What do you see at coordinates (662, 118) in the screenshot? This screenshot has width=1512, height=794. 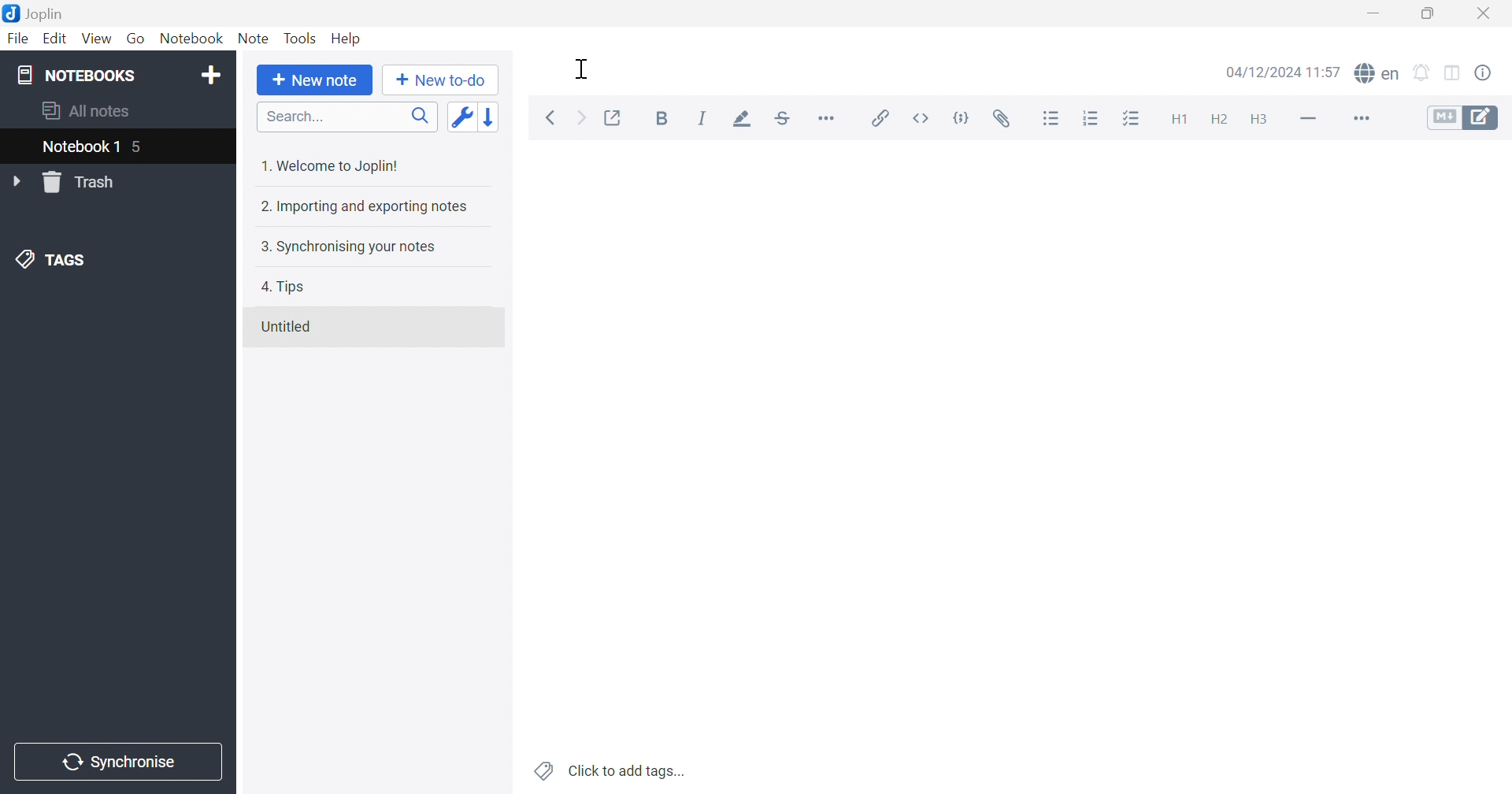 I see `Bold` at bounding box center [662, 118].